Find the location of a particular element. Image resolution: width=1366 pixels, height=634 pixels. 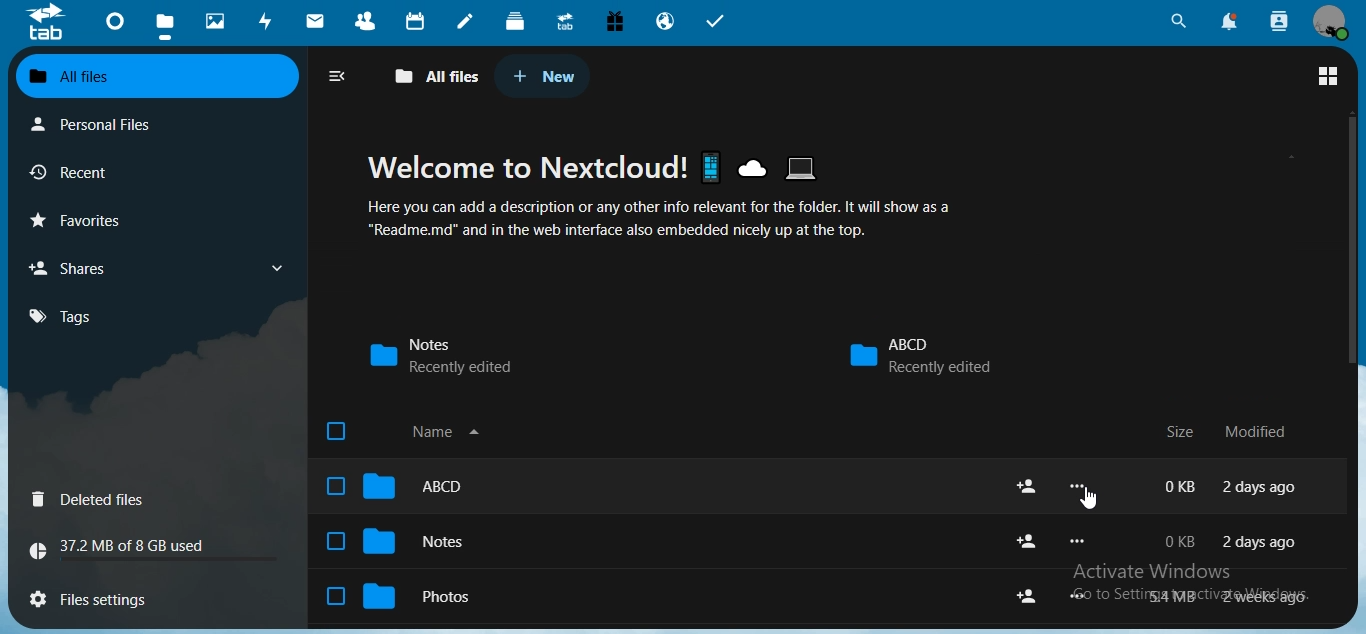

text is located at coordinates (125, 542).